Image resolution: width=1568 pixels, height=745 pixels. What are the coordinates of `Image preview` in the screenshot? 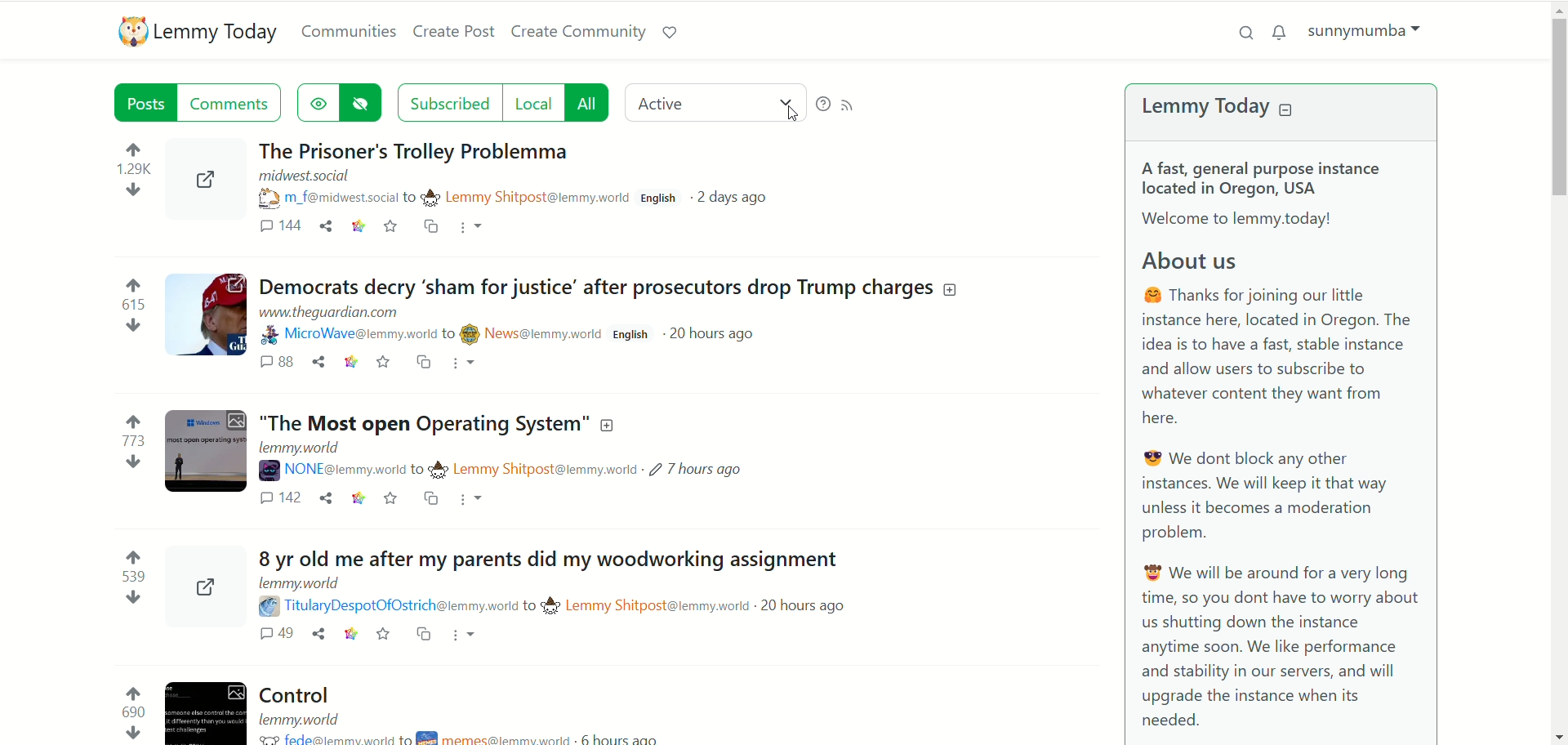 It's located at (212, 184).